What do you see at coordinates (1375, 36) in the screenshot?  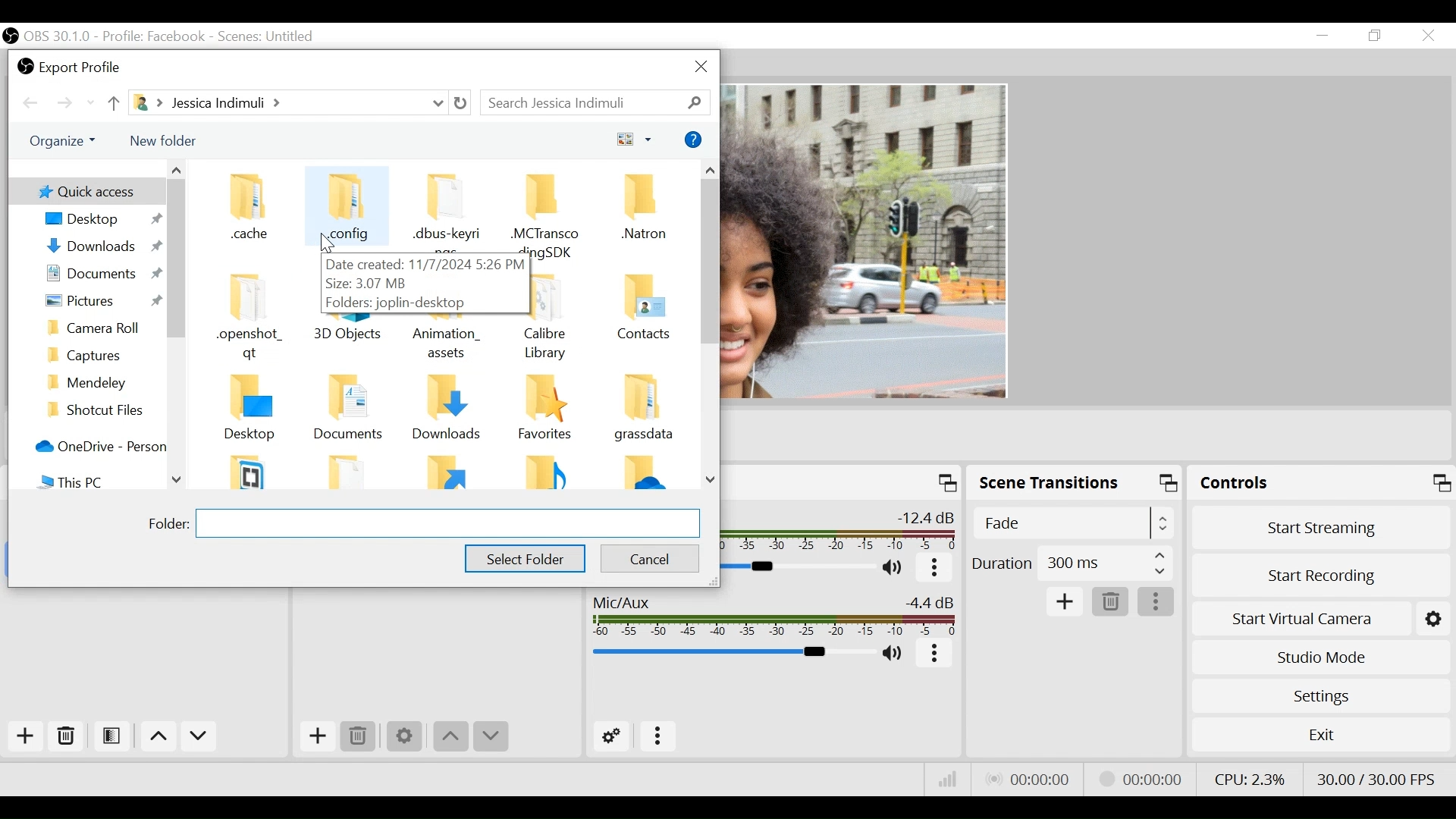 I see `Restore` at bounding box center [1375, 36].